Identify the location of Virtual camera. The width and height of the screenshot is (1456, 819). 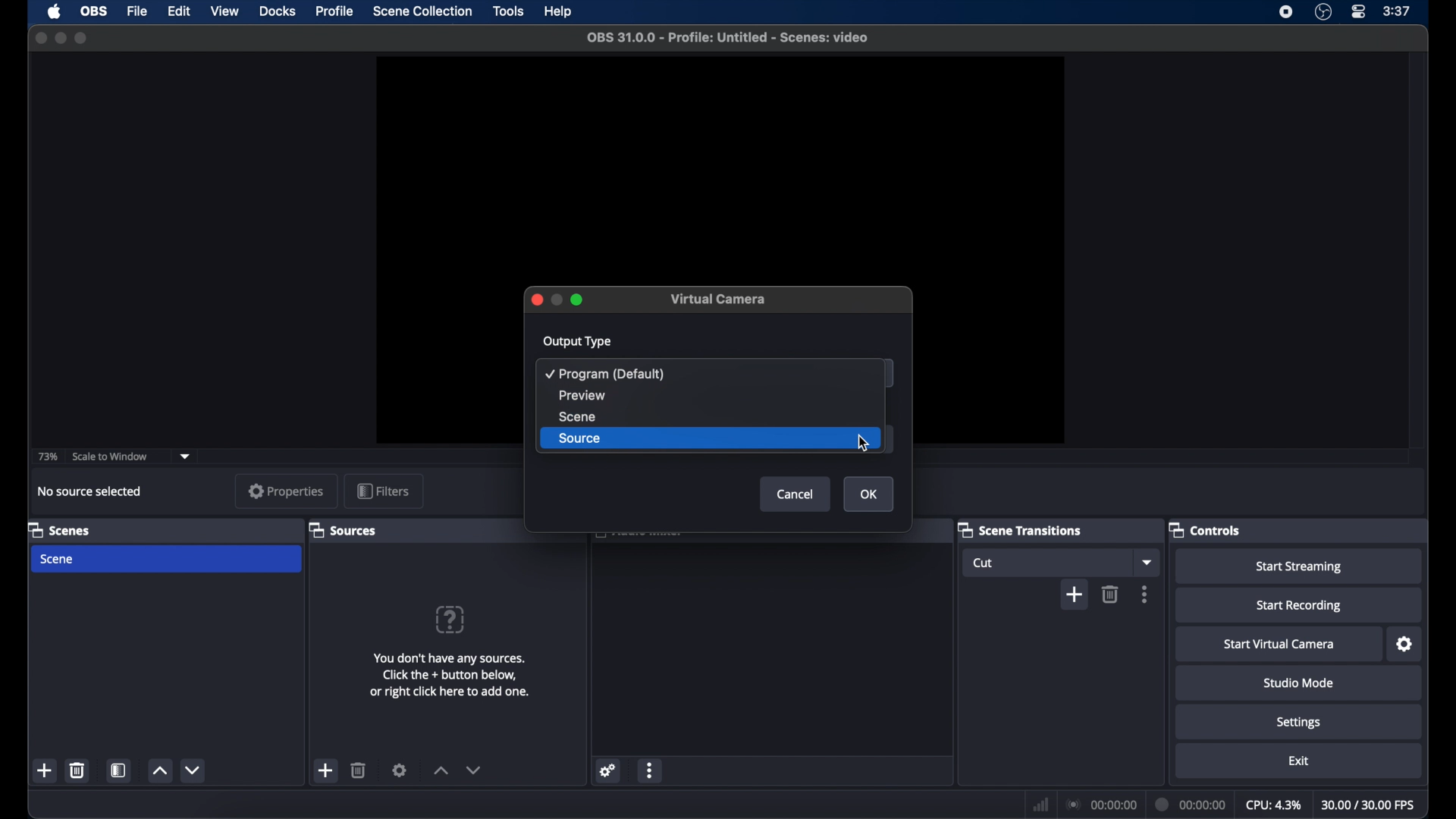
(714, 300).